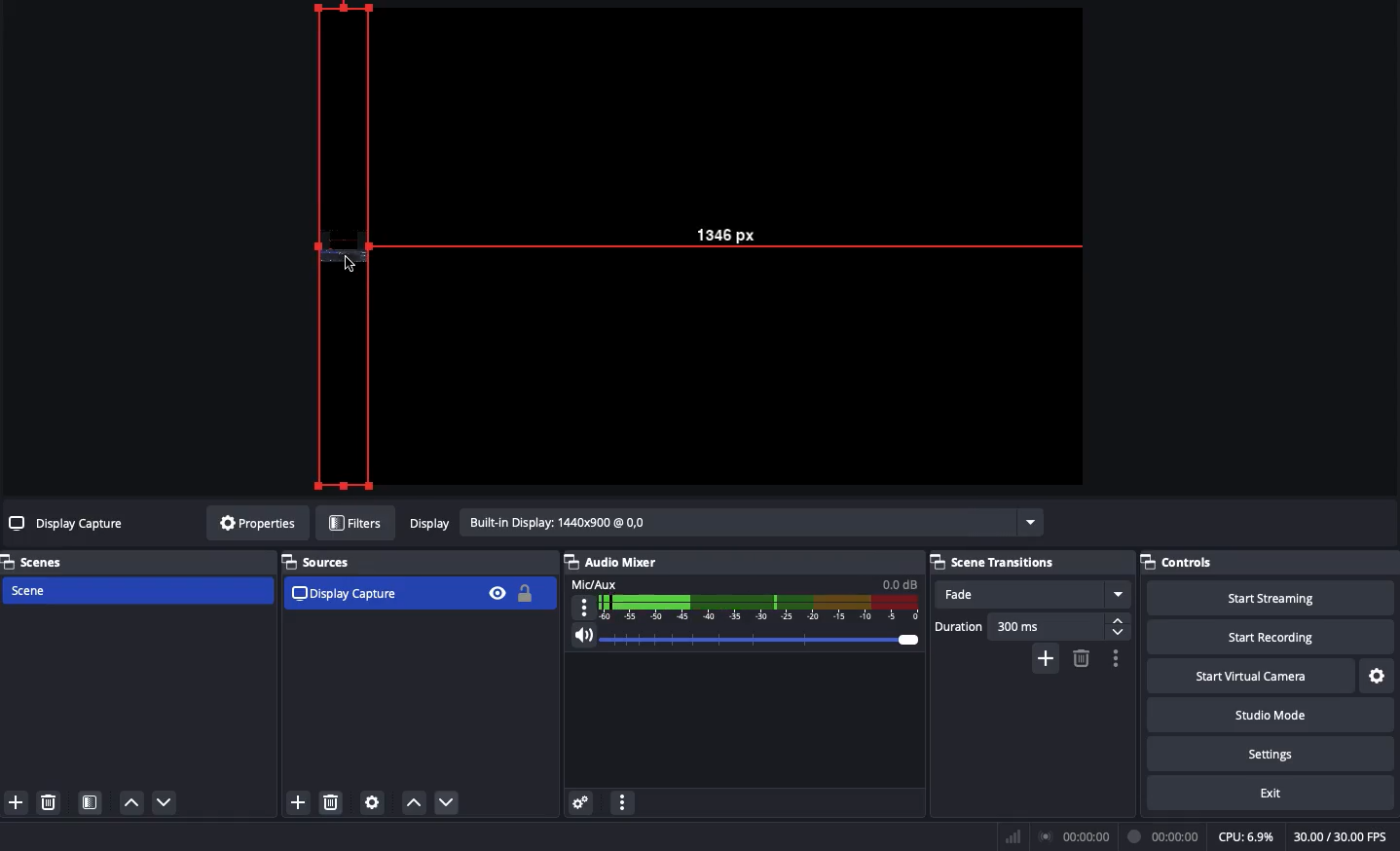  What do you see at coordinates (69, 526) in the screenshot?
I see `Display capture` at bounding box center [69, 526].